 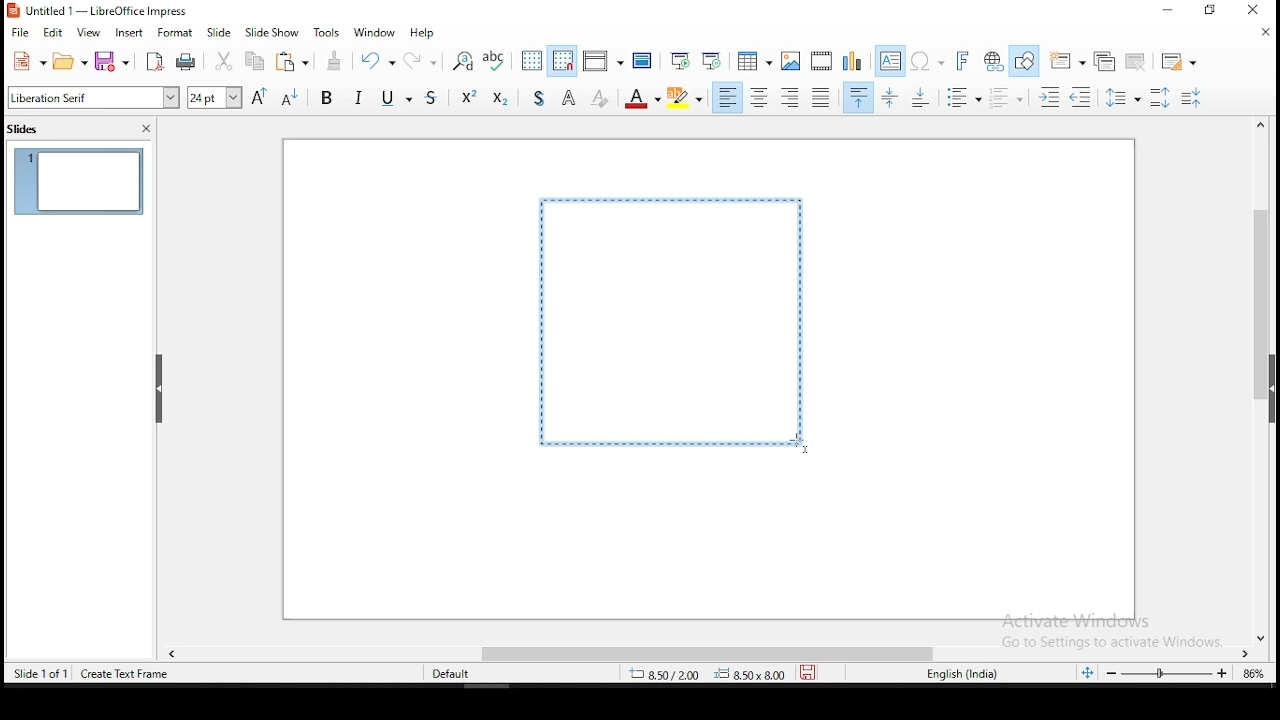 What do you see at coordinates (291, 99) in the screenshot?
I see `decrease font size` at bounding box center [291, 99].